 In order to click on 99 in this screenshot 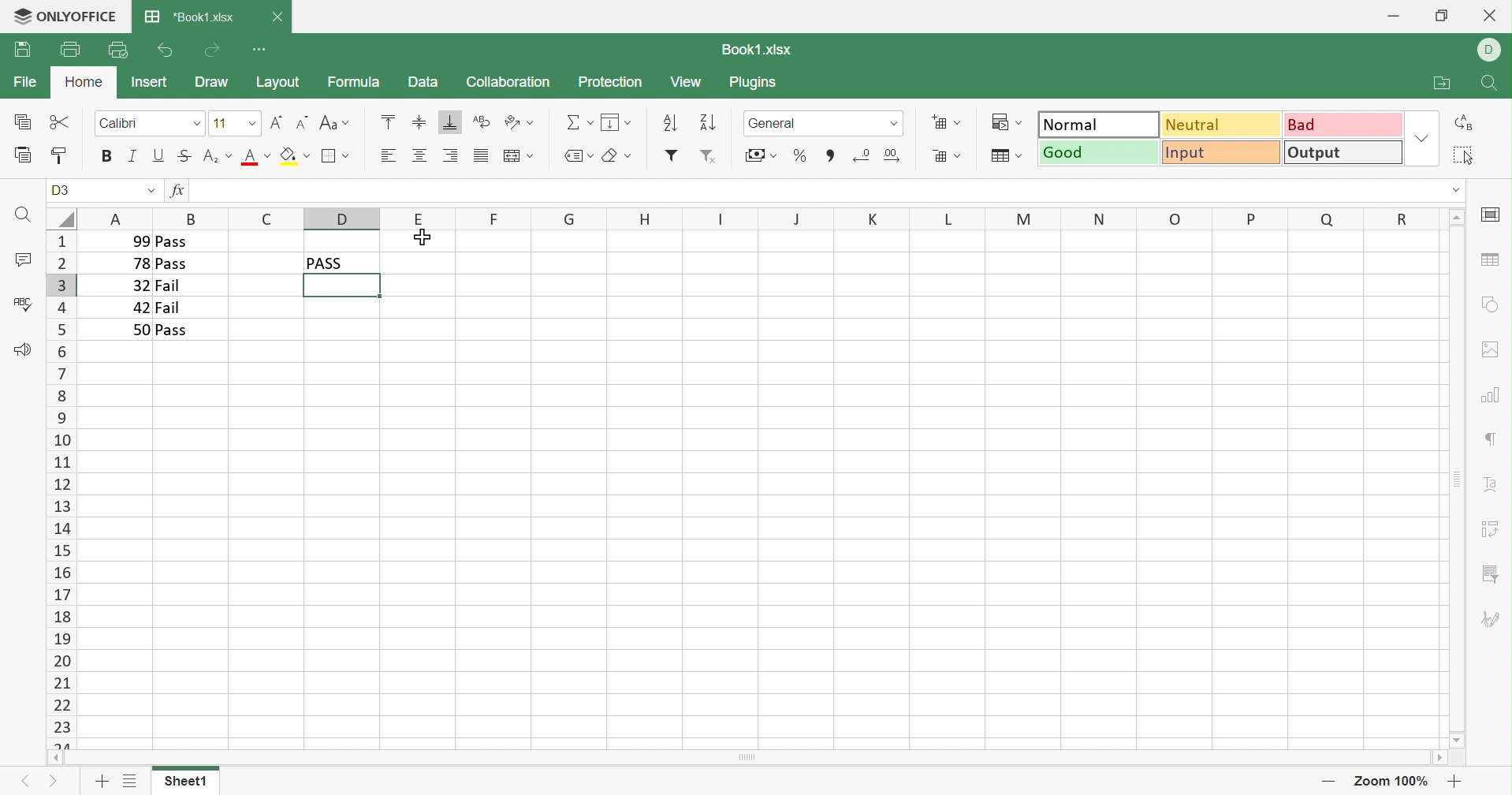, I will do `click(136, 241)`.